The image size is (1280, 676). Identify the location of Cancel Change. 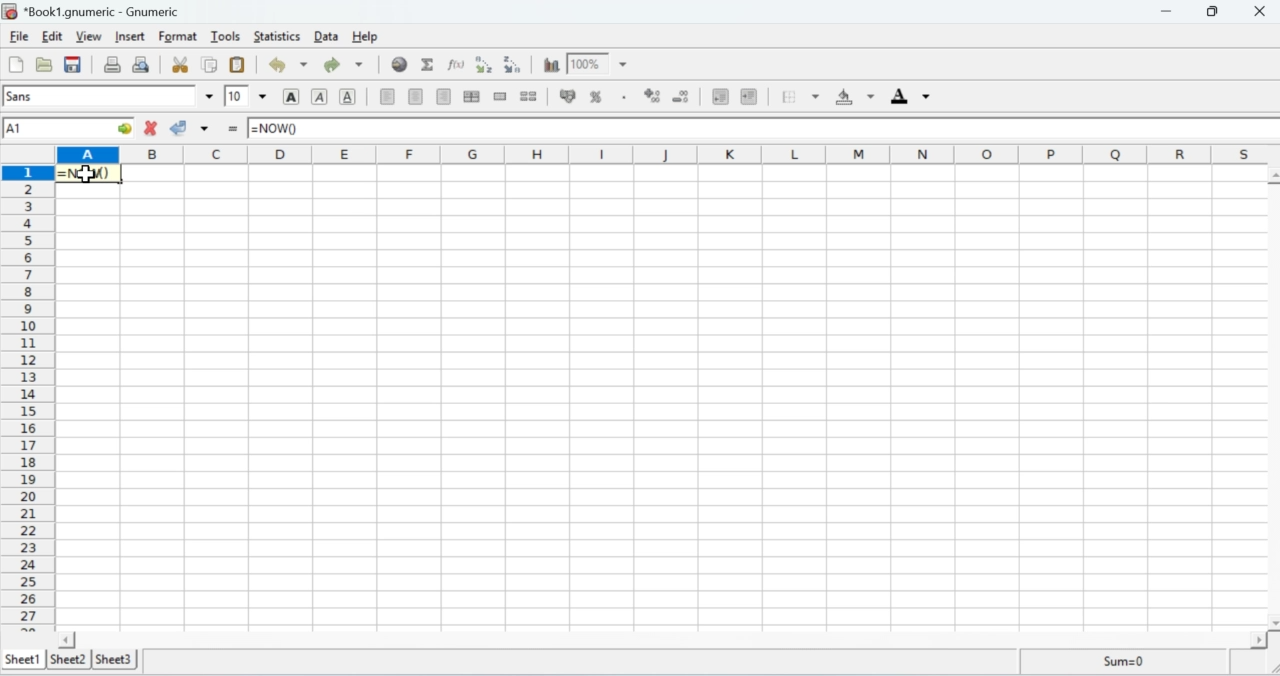
(152, 127).